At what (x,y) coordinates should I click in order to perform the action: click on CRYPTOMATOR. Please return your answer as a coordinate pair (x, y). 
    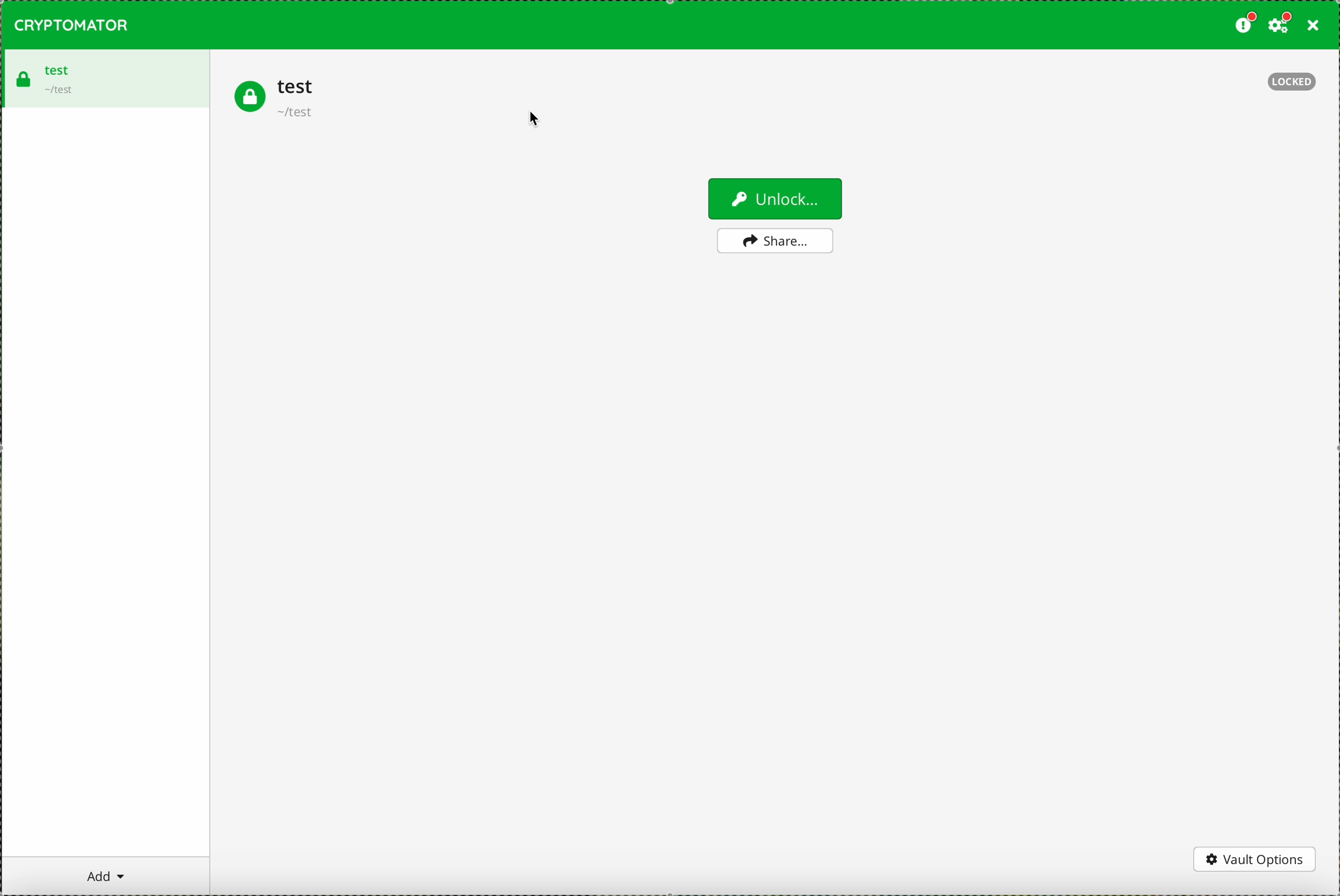
    Looking at the image, I should click on (72, 25).